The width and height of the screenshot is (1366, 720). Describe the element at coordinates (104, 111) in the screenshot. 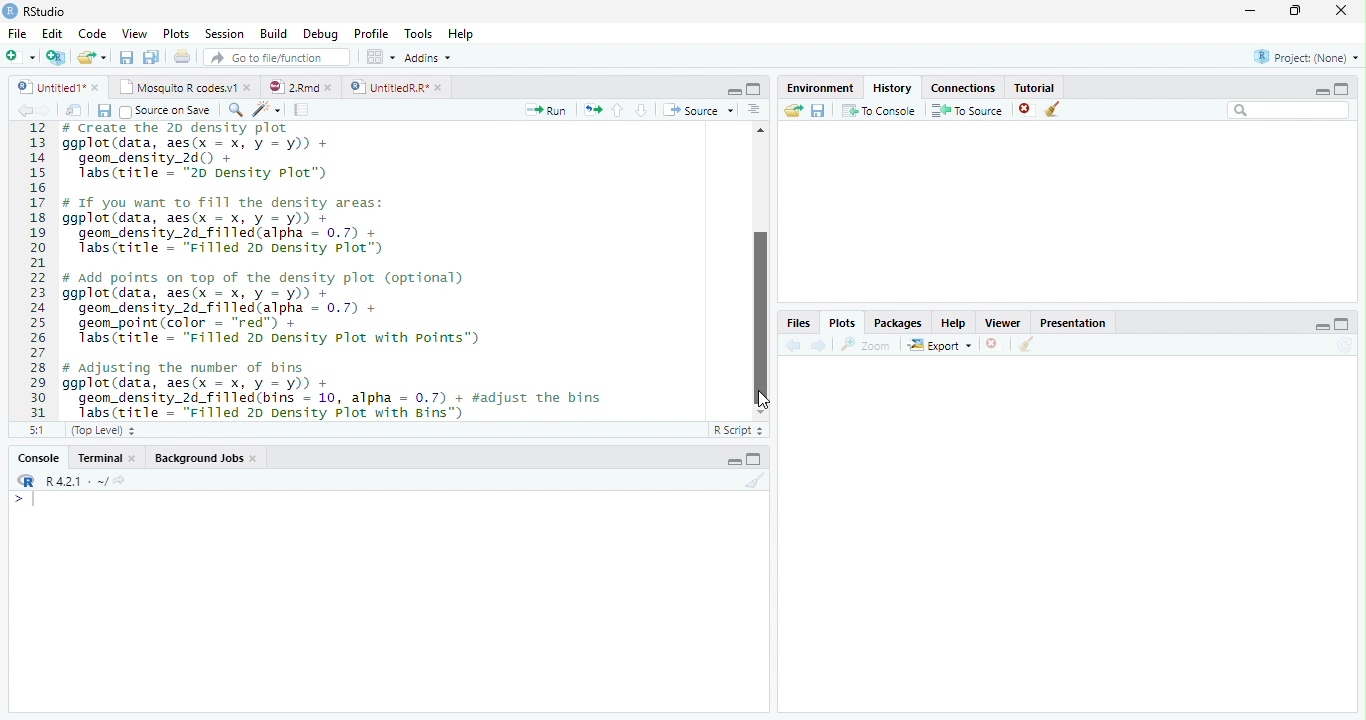

I see `save` at that location.